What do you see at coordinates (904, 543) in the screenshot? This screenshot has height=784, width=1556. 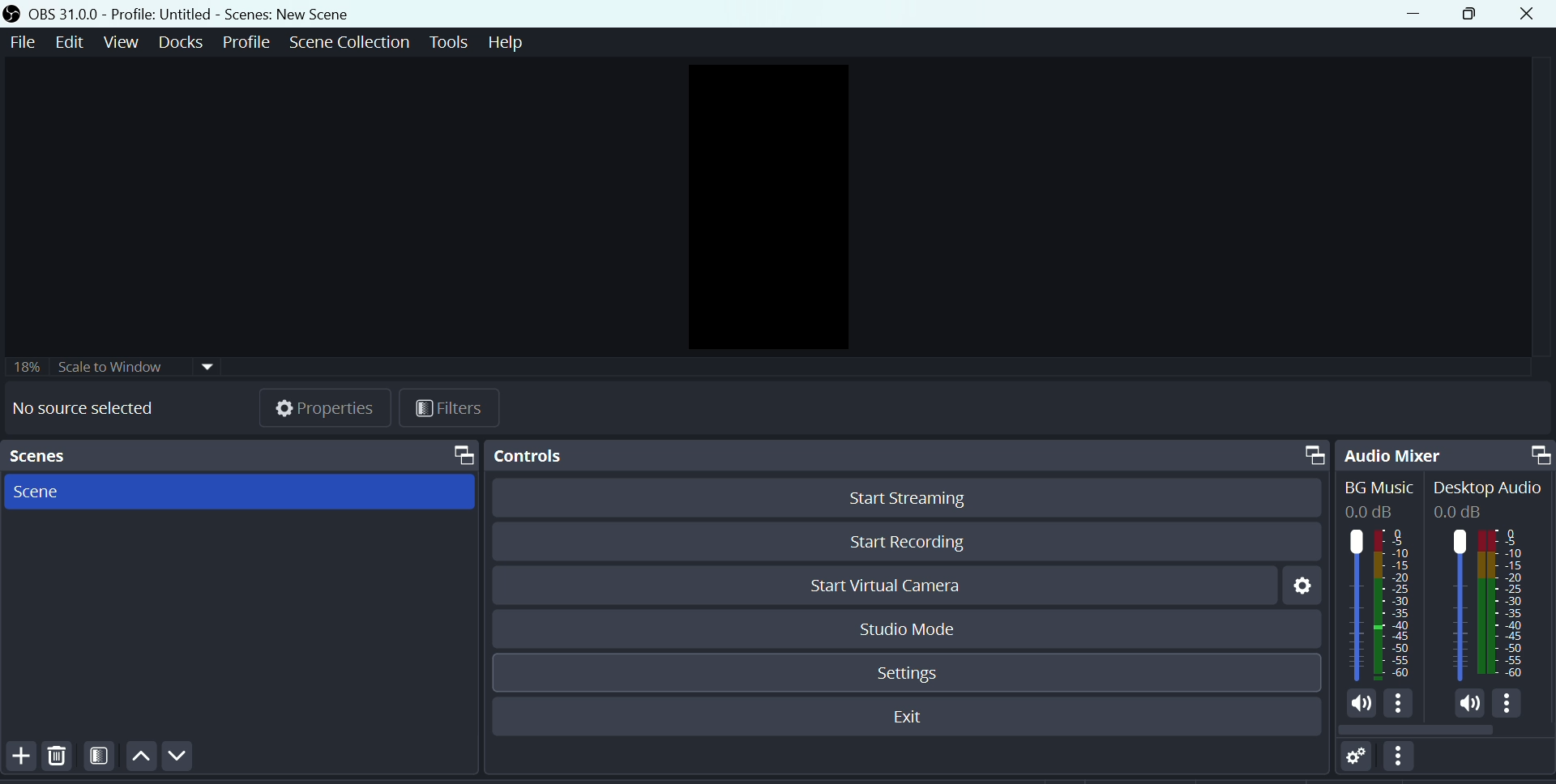 I see `Start recording` at bounding box center [904, 543].